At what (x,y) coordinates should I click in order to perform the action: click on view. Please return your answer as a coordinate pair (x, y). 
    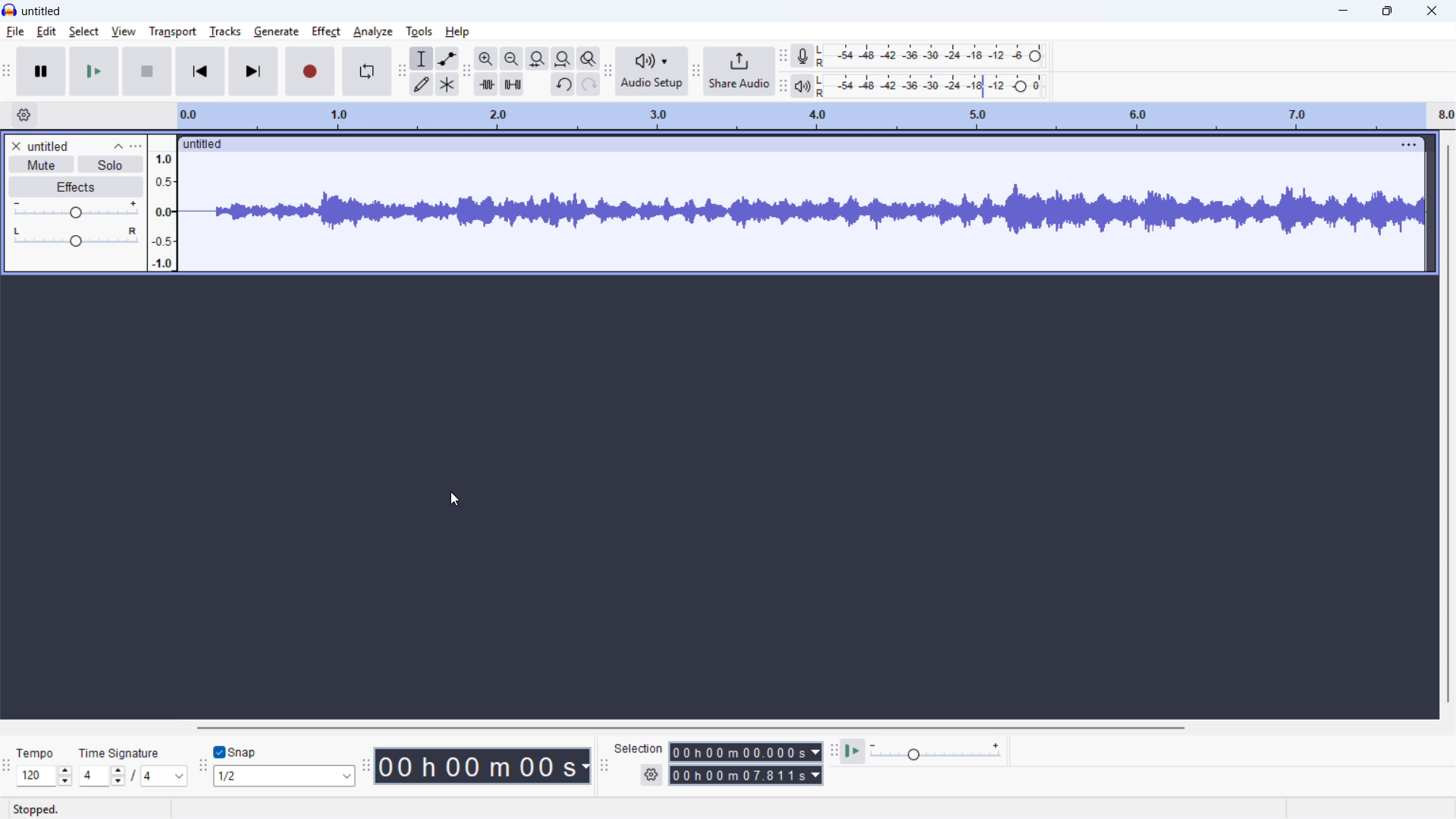
    Looking at the image, I should click on (124, 32).